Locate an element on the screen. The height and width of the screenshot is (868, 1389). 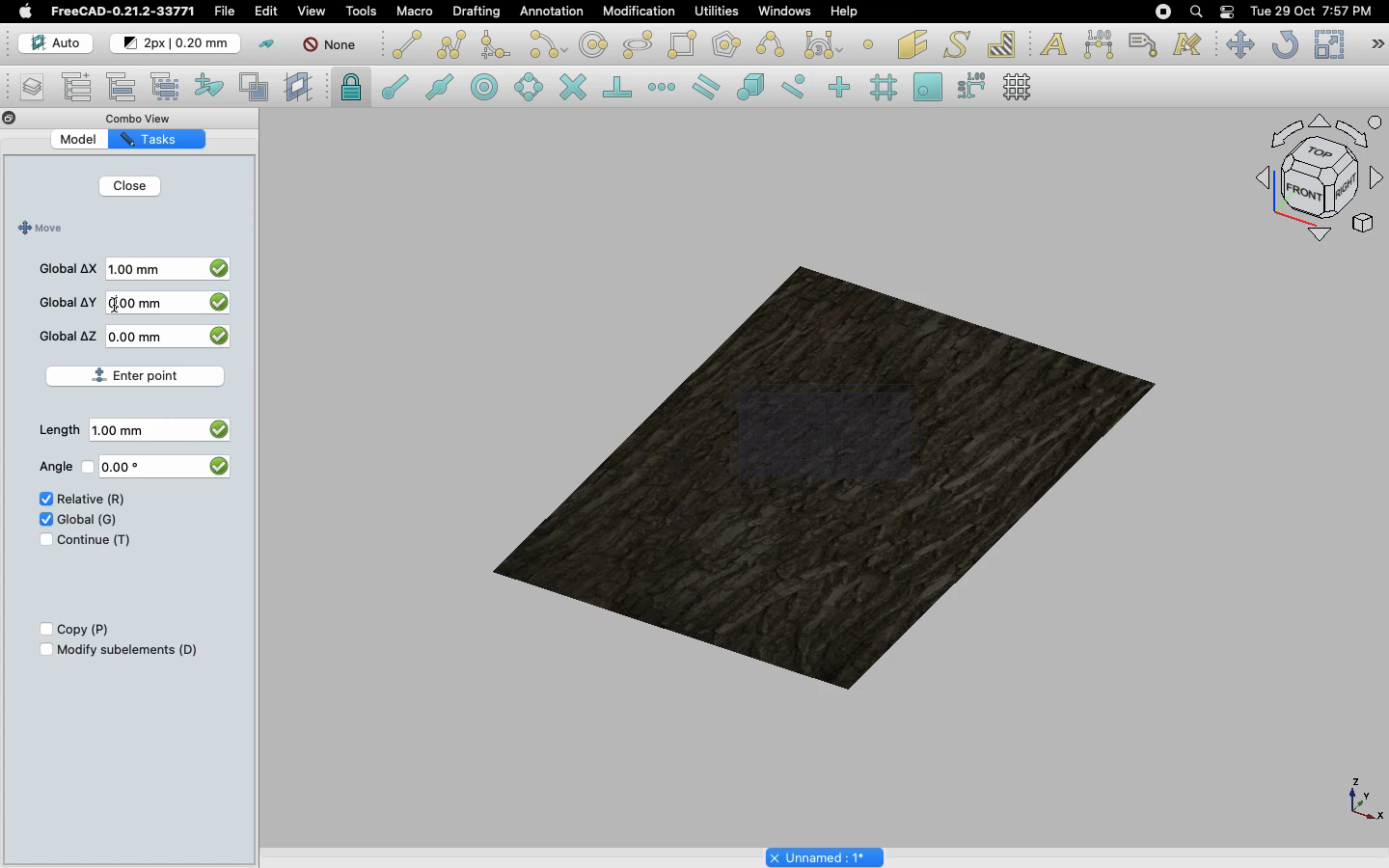
Polyline is located at coordinates (451, 44).